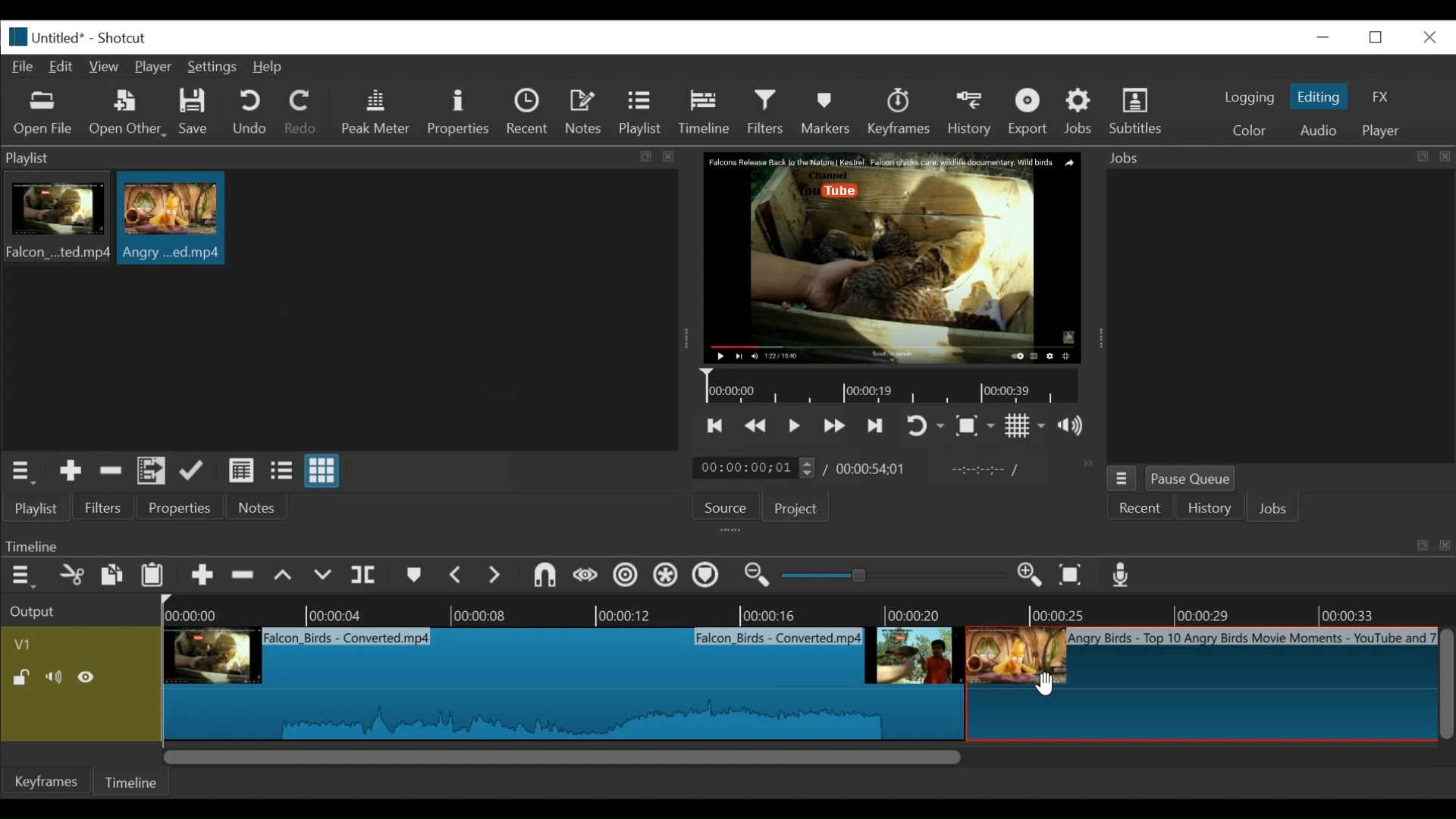 The image size is (1456, 819). I want to click on play quickly backward, so click(756, 426).